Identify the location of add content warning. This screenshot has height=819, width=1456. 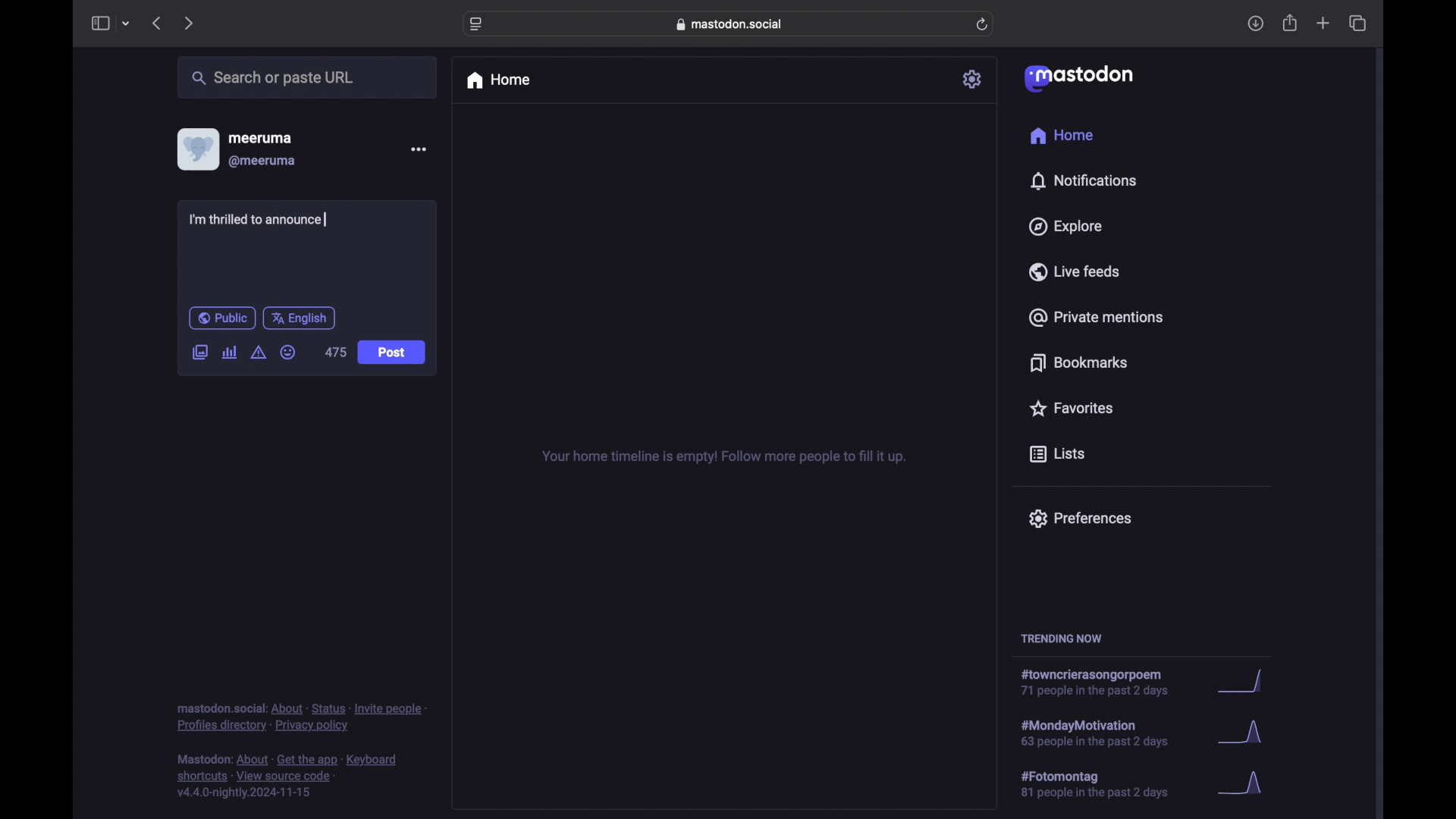
(260, 353).